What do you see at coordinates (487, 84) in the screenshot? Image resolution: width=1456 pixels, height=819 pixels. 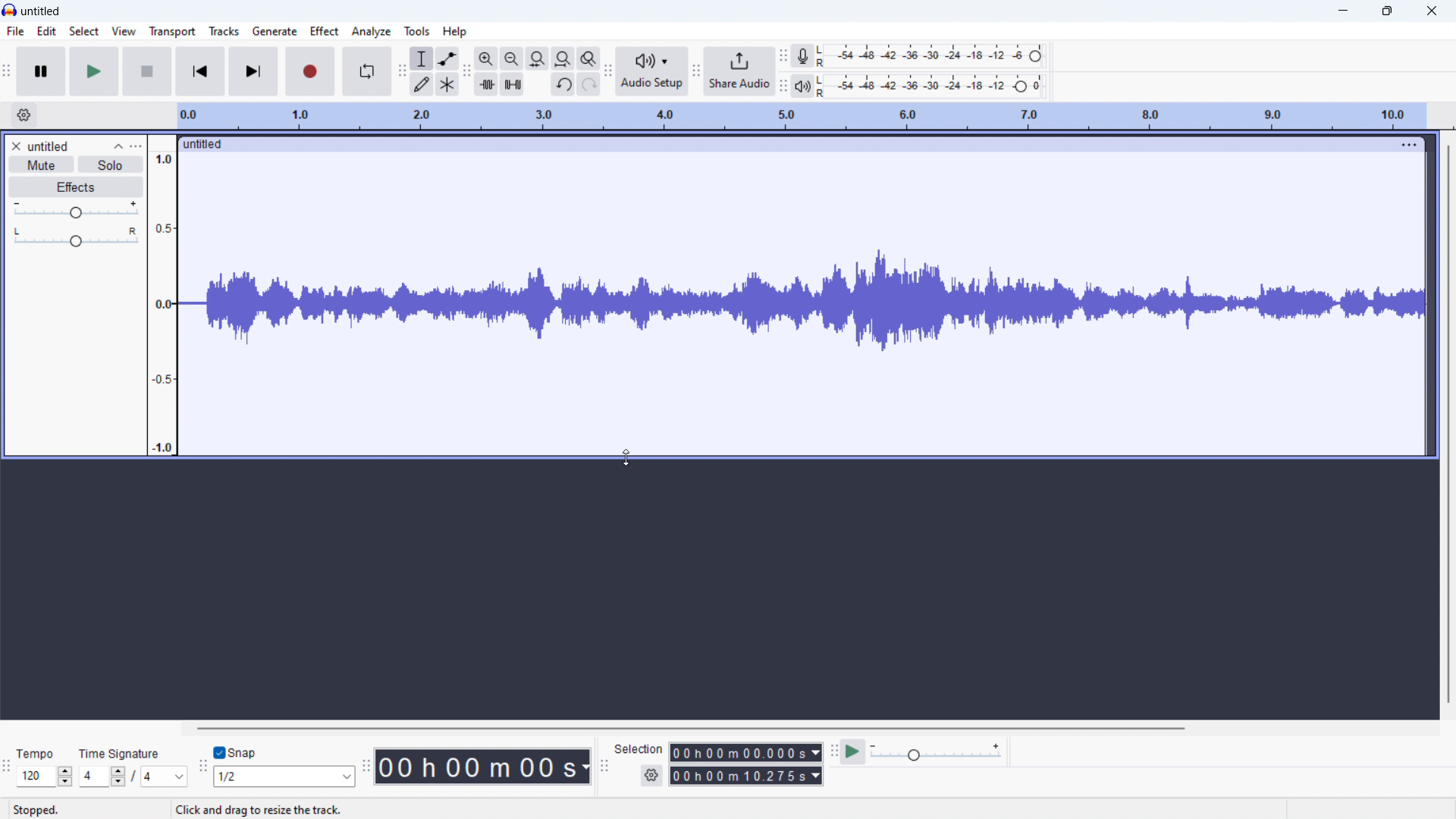 I see `trim audio oitside selection` at bounding box center [487, 84].